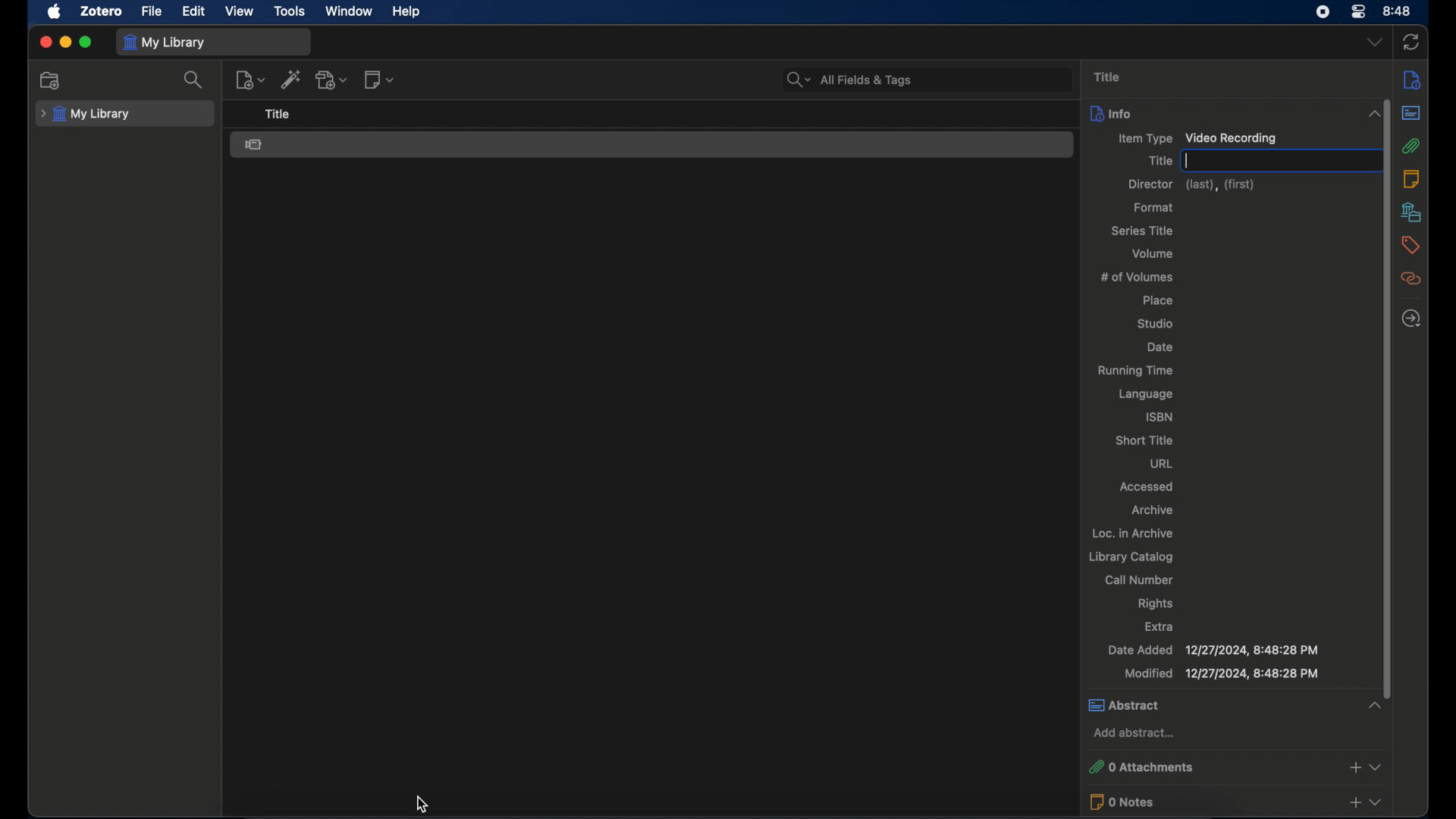 Image resolution: width=1456 pixels, height=819 pixels. What do you see at coordinates (1196, 139) in the screenshot?
I see `item type` at bounding box center [1196, 139].